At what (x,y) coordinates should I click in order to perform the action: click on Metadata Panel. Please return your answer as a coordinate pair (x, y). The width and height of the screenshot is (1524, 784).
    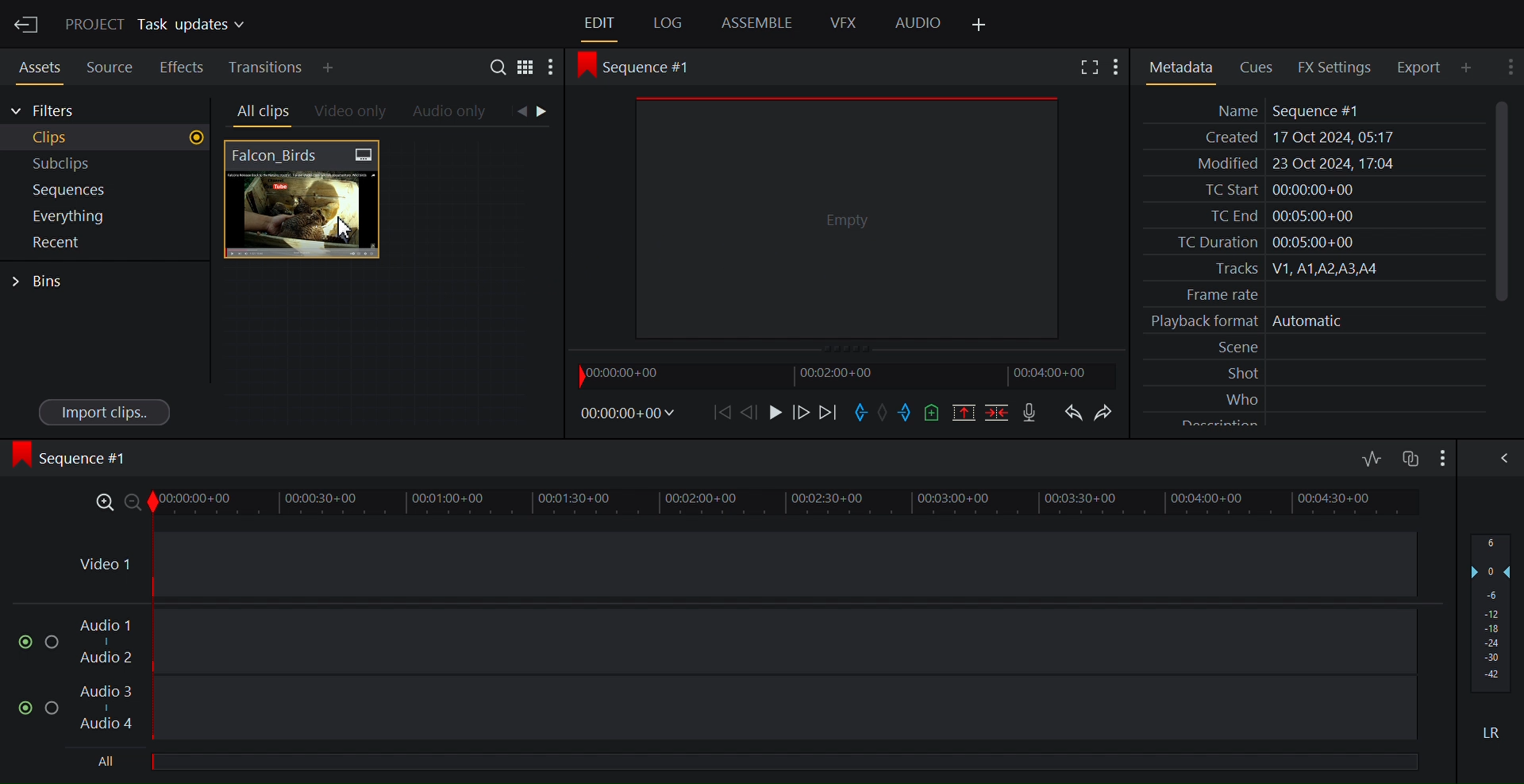
    Looking at the image, I should click on (1180, 67).